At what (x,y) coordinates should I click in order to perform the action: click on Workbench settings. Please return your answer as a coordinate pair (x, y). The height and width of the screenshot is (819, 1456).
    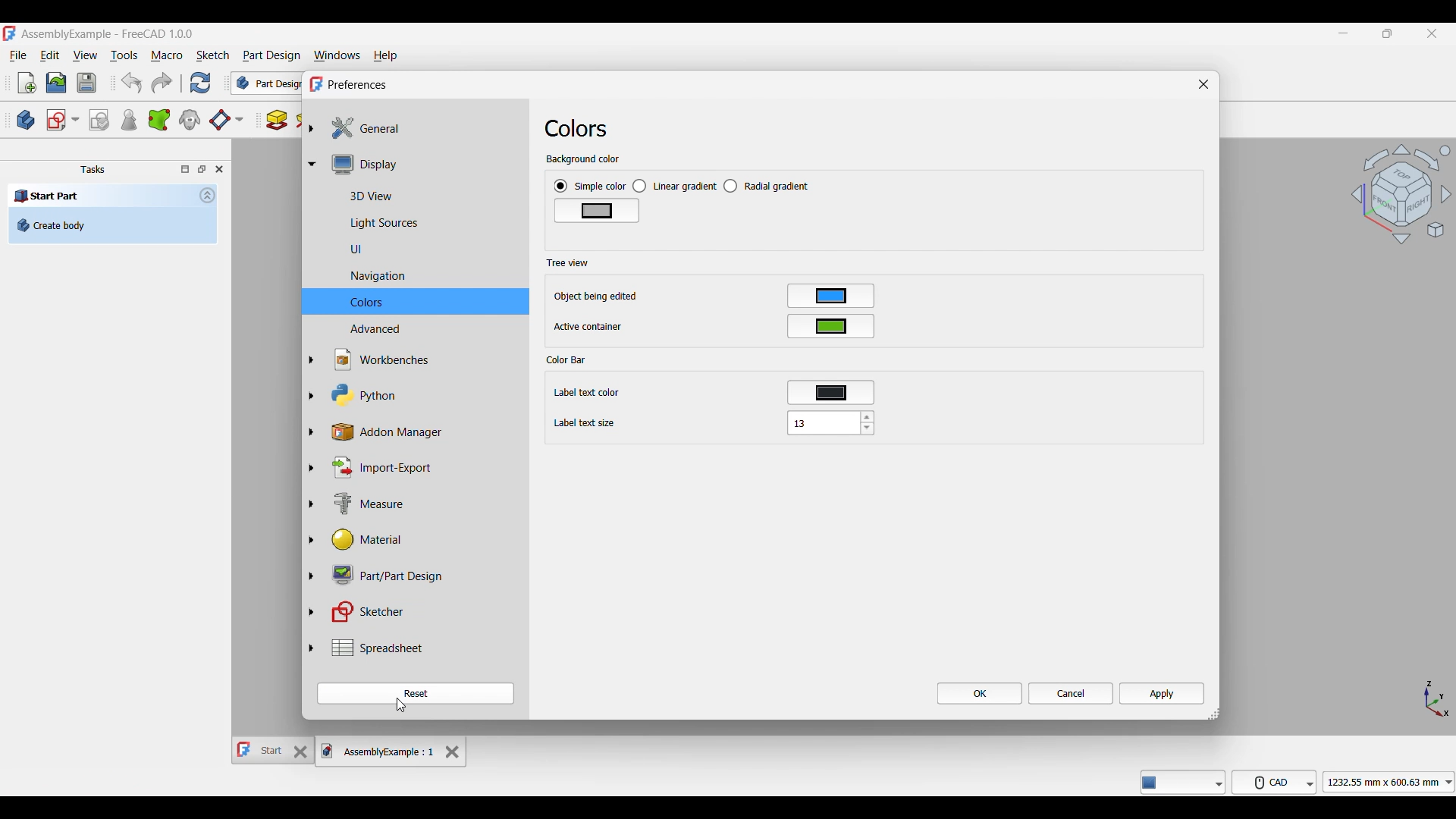
    Looking at the image, I should click on (372, 360).